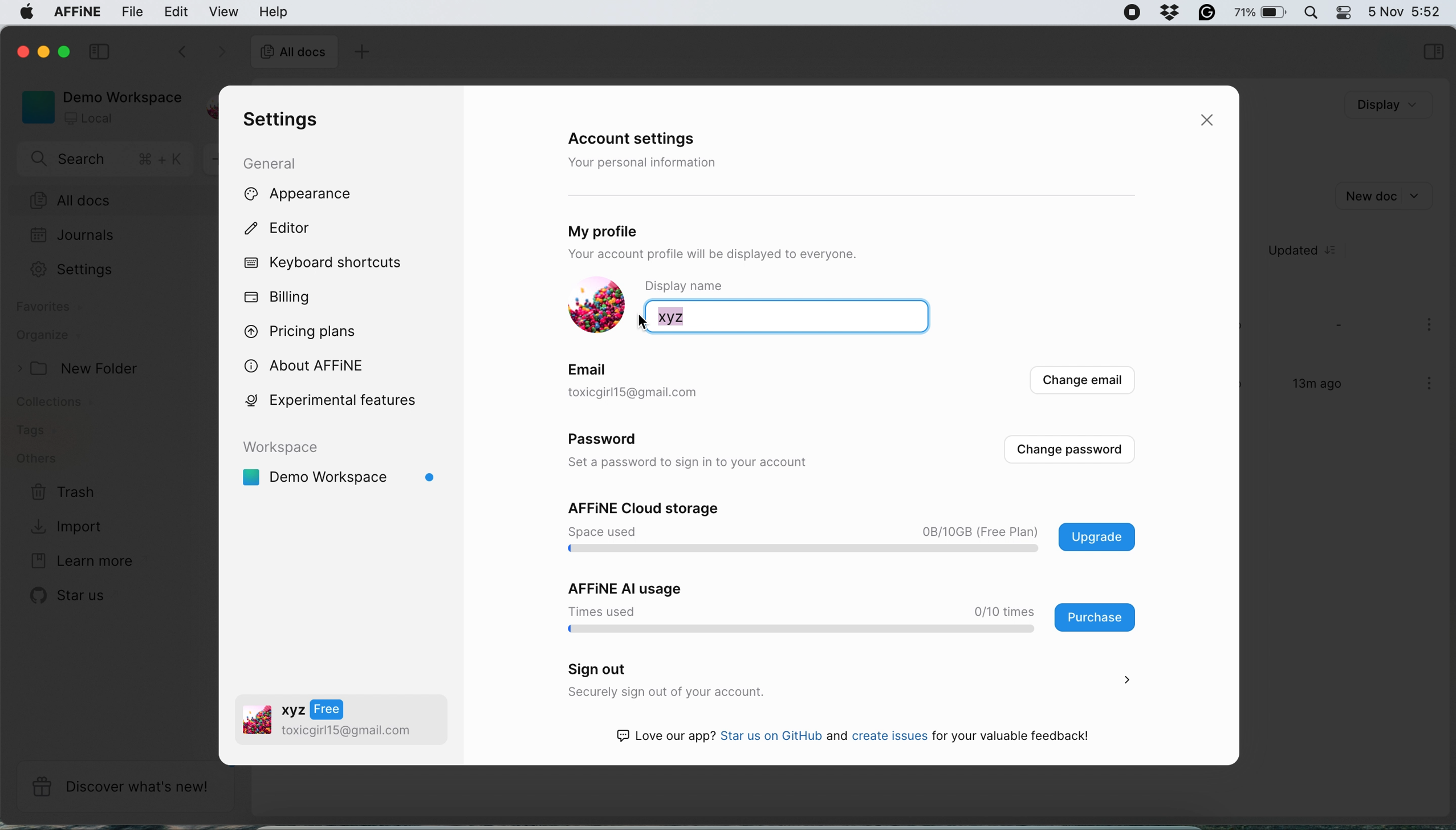 Image resolution: width=1456 pixels, height=830 pixels. What do you see at coordinates (308, 329) in the screenshot?
I see `pricing plans` at bounding box center [308, 329].